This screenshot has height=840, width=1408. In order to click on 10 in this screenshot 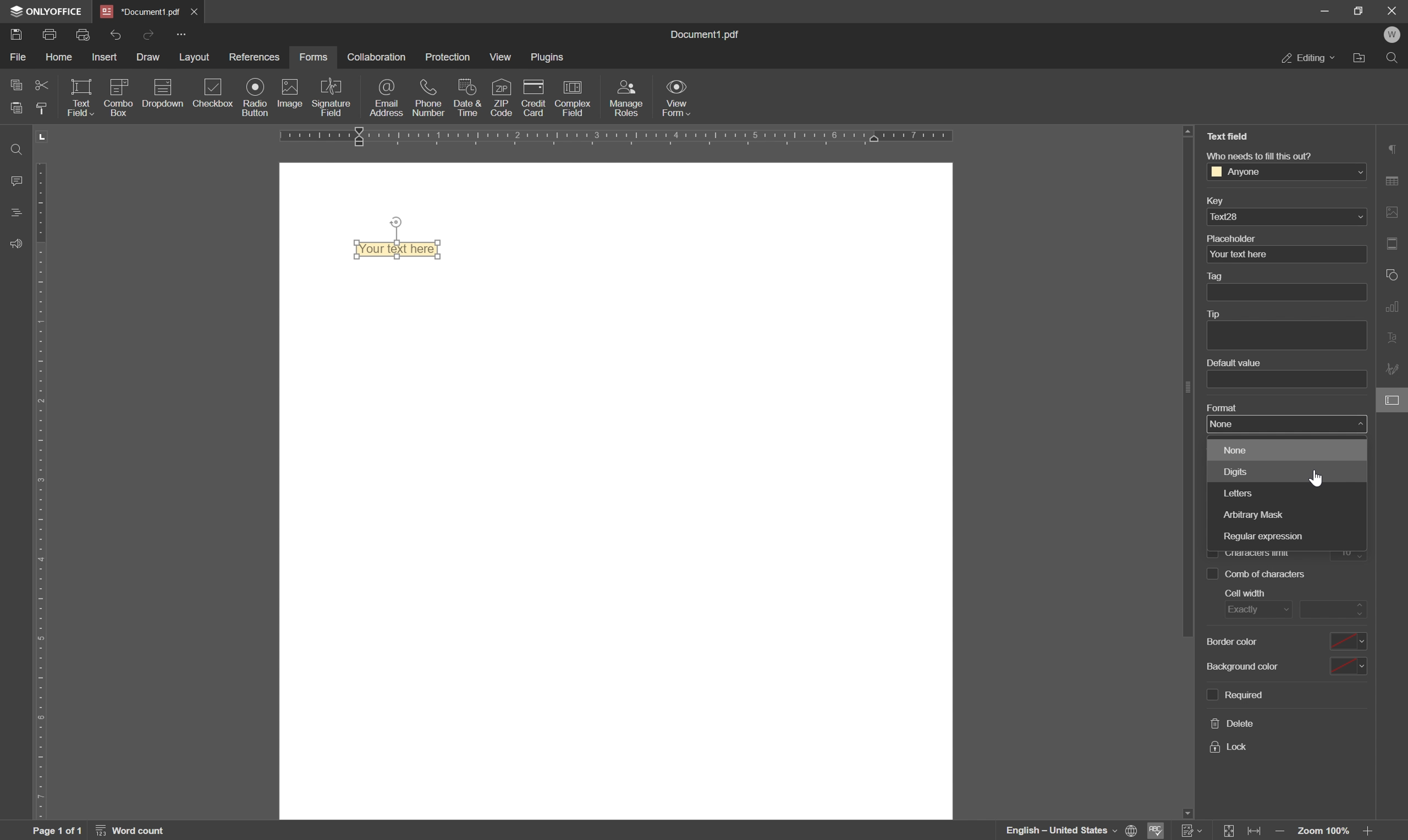, I will do `click(1351, 552)`.